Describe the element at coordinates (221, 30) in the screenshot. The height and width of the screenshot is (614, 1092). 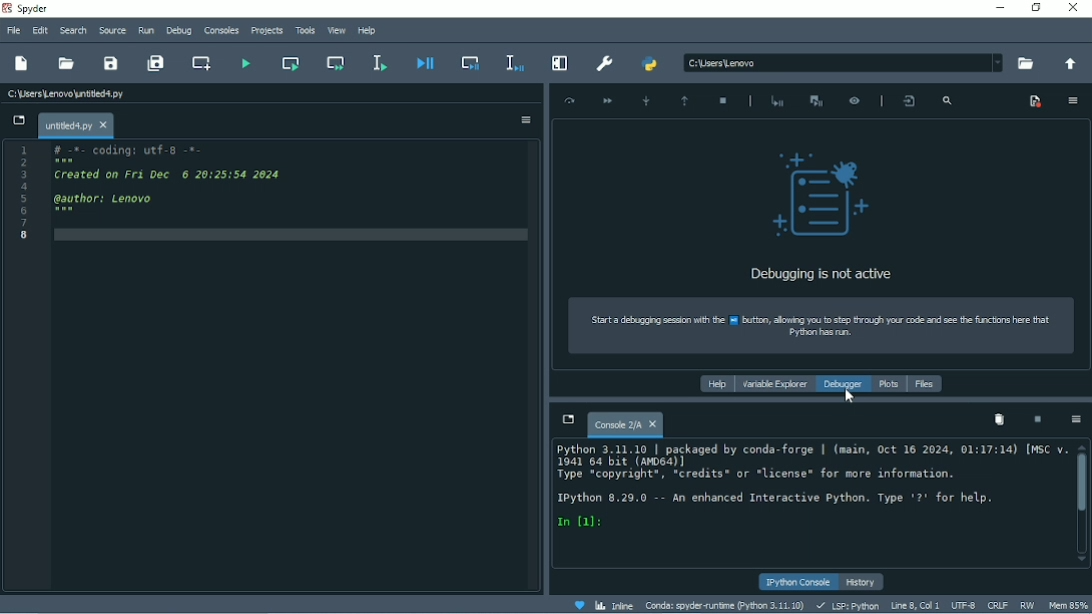
I see `Consoles` at that location.